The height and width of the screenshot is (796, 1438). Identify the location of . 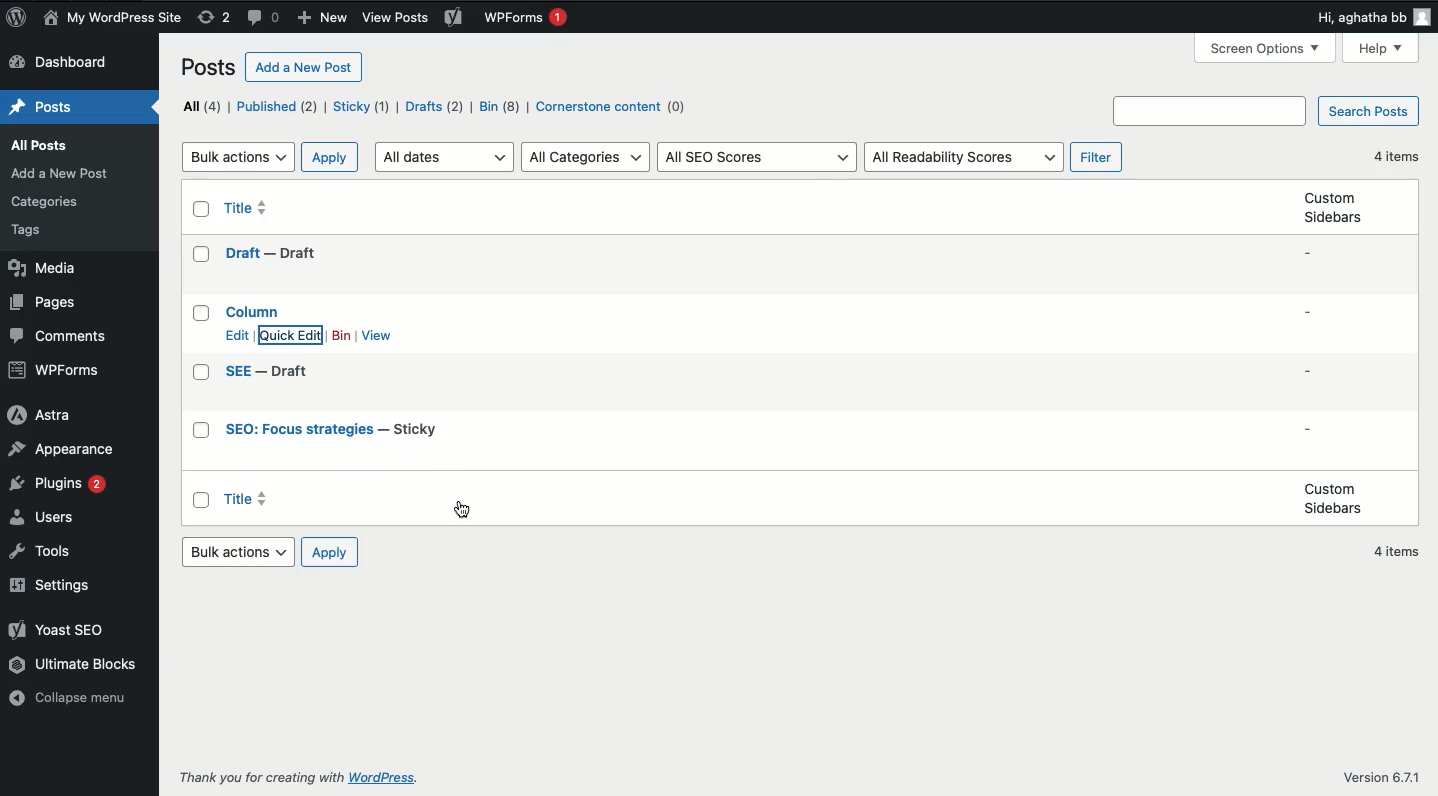
(379, 779).